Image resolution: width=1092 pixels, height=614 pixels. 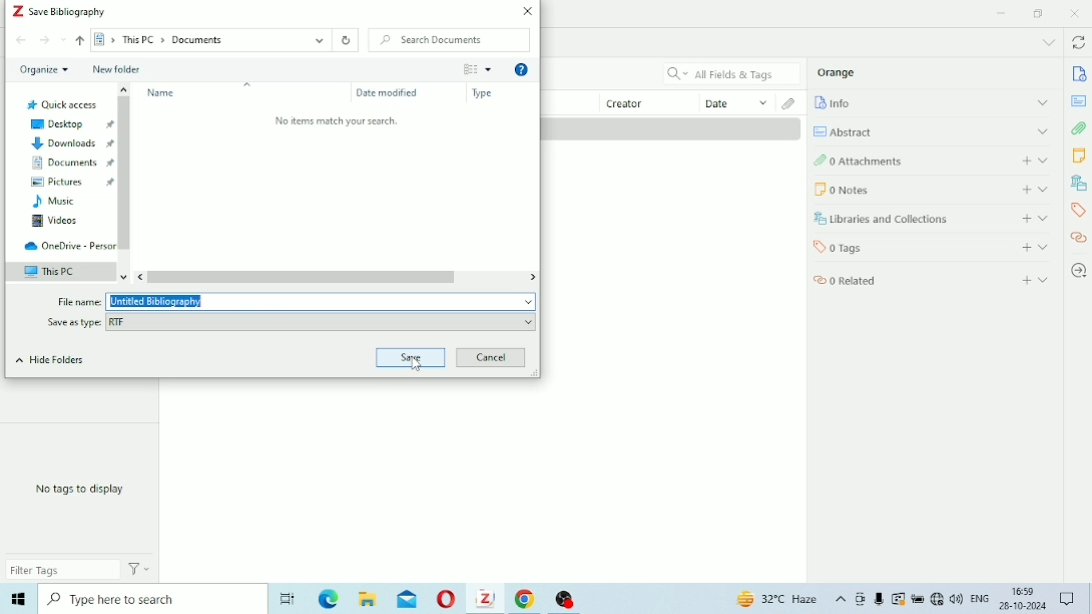 I want to click on List all tabs, so click(x=1048, y=43).